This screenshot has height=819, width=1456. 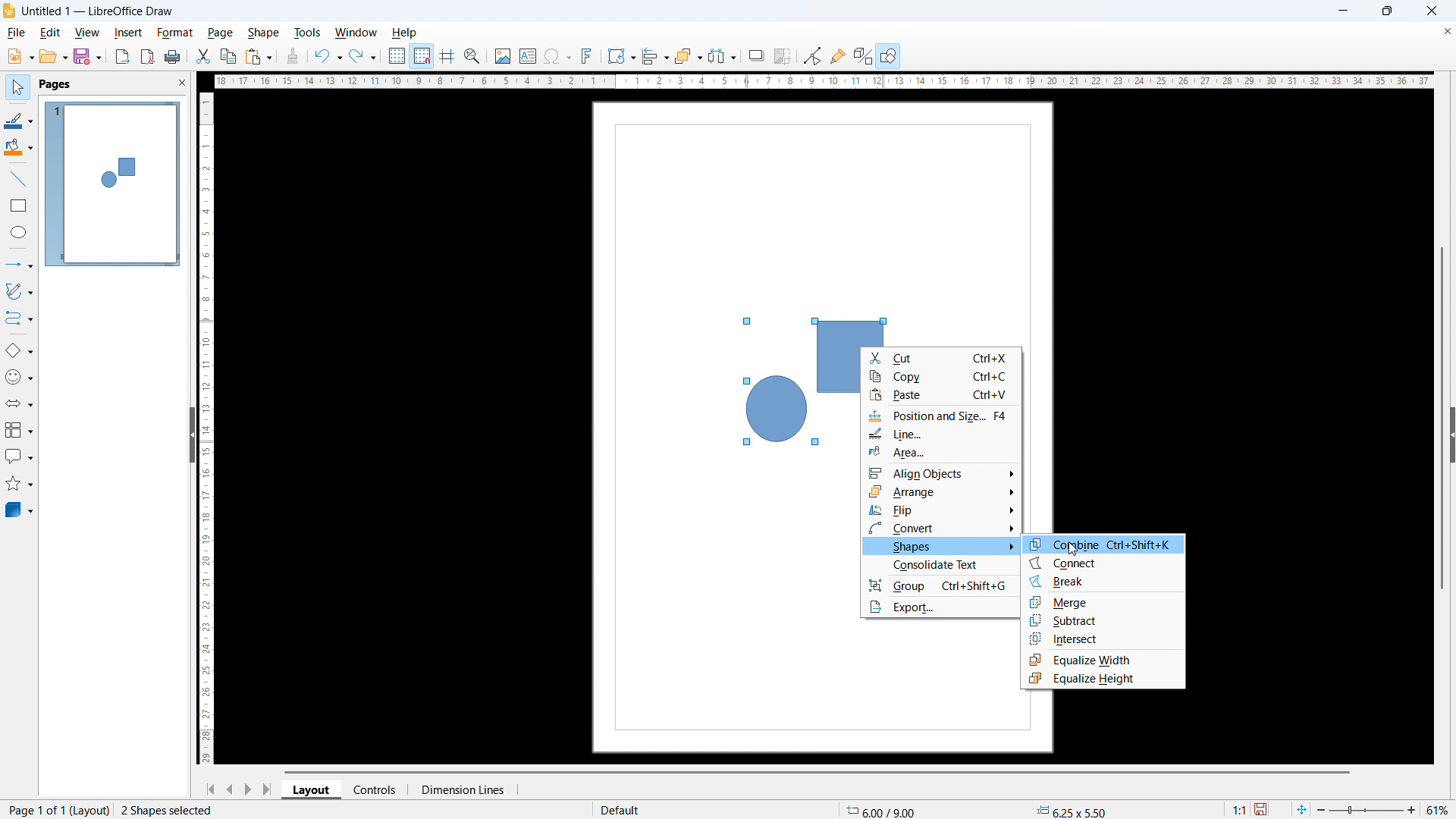 What do you see at coordinates (229, 56) in the screenshot?
I see `copy` at bounding box center [229, 56].